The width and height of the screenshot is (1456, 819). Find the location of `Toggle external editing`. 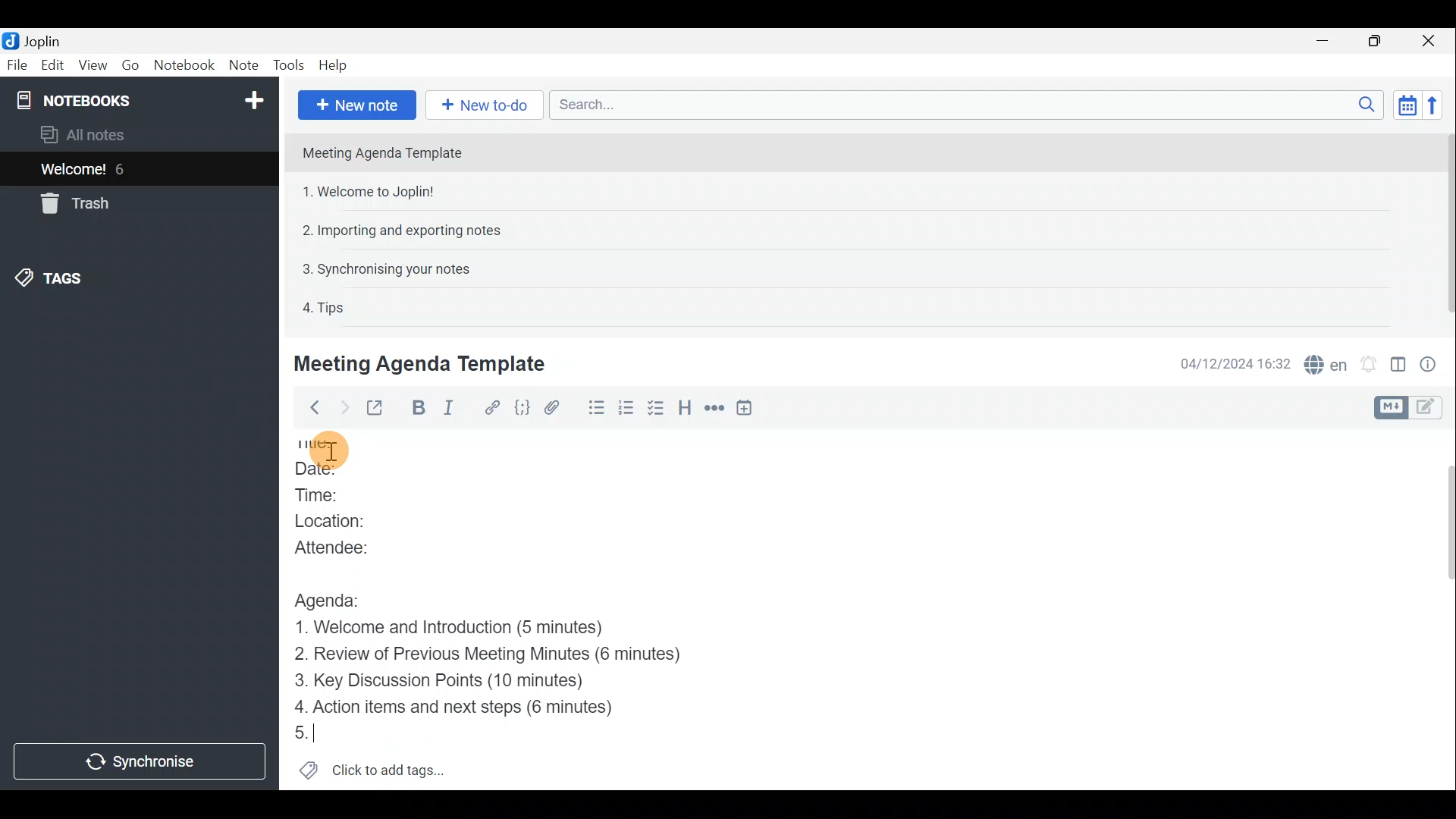

Toggle external editing is located at coordinates (379, 409).